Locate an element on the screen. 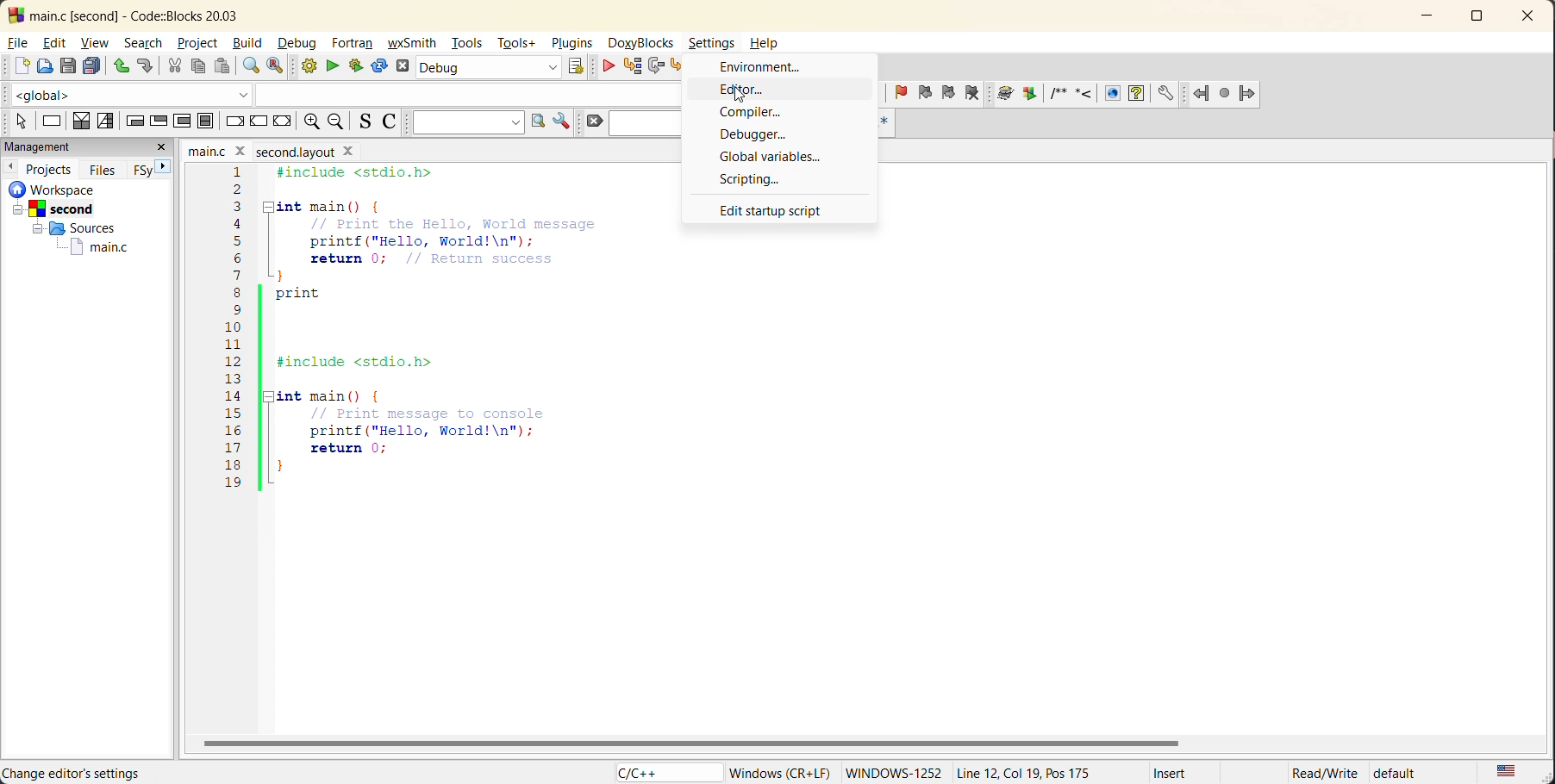  show select target dialog is located at coordinates (579, 65).